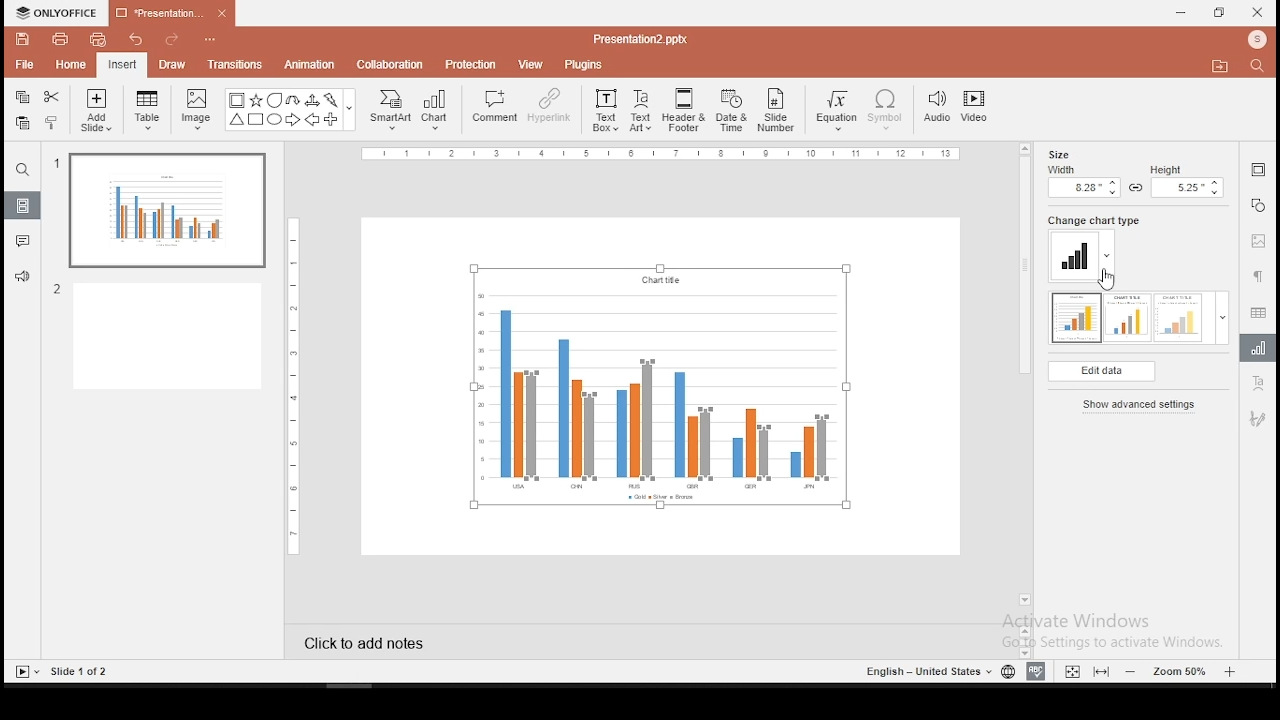 The width and height of the screenshot is (1280, 720). I want to click on bar chart, so click(658, 386).